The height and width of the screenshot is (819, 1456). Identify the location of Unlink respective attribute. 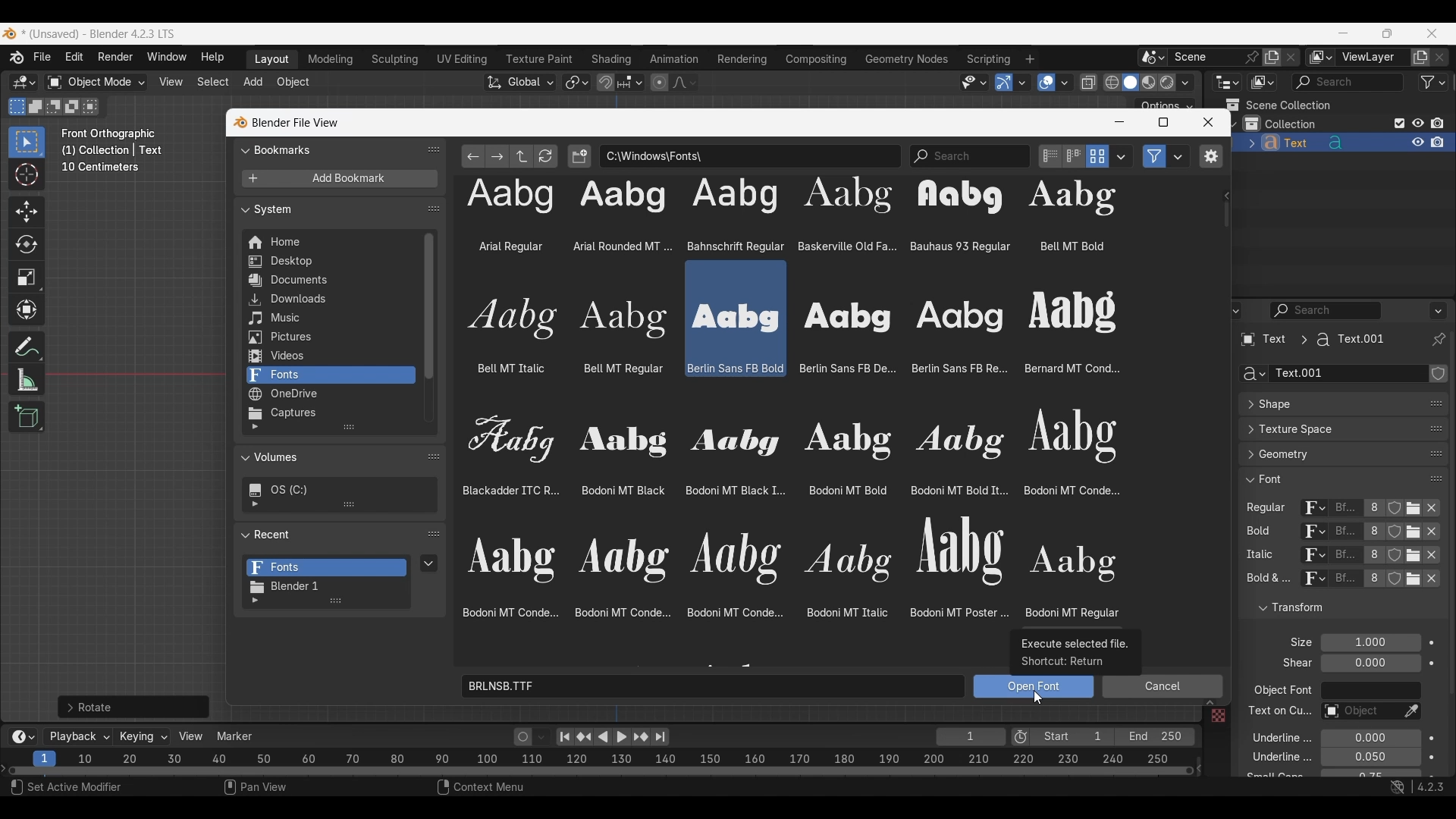
(1436, 510).